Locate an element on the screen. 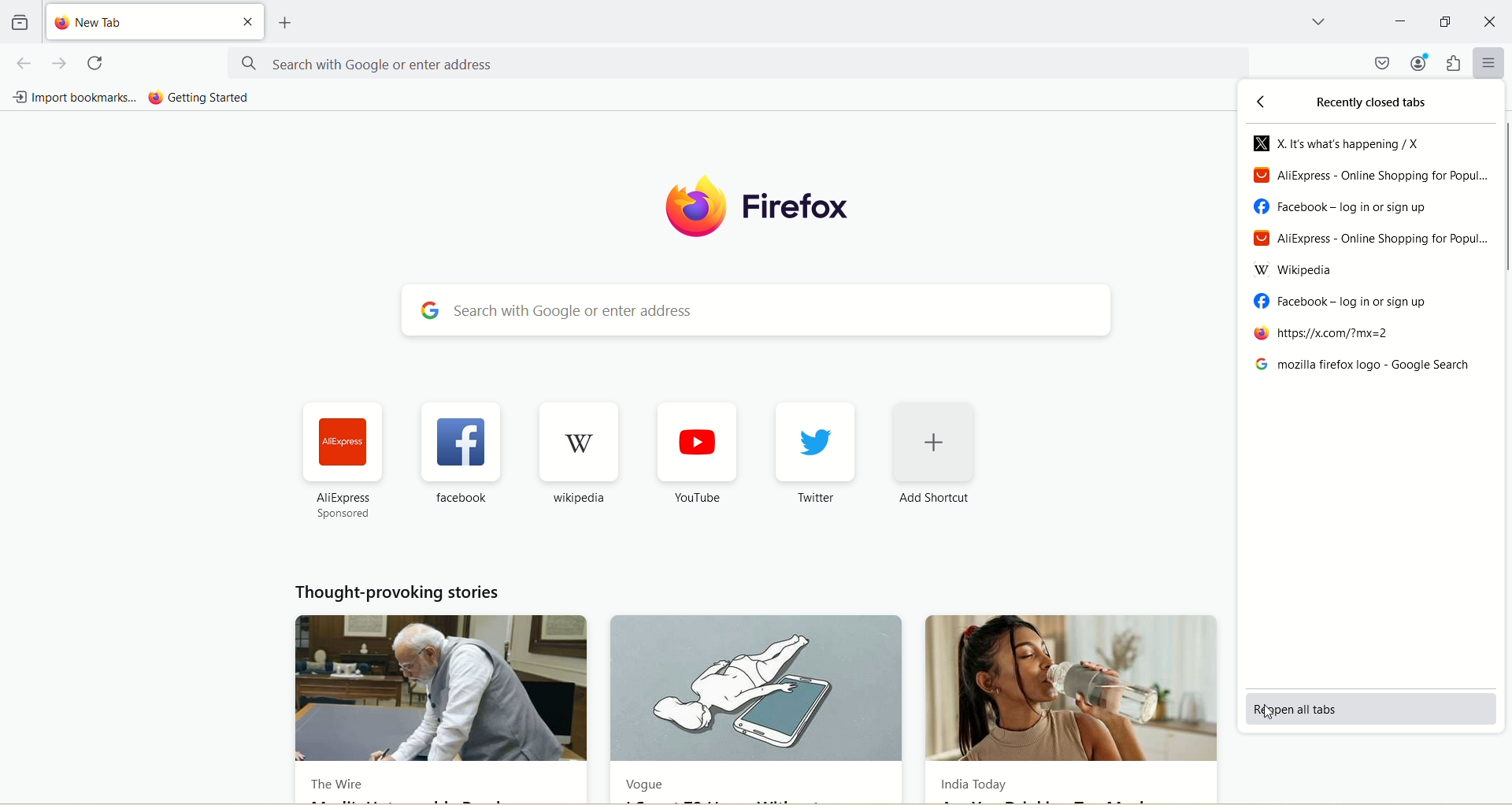  reopen all tabs is located at coordinates (1373, 710).